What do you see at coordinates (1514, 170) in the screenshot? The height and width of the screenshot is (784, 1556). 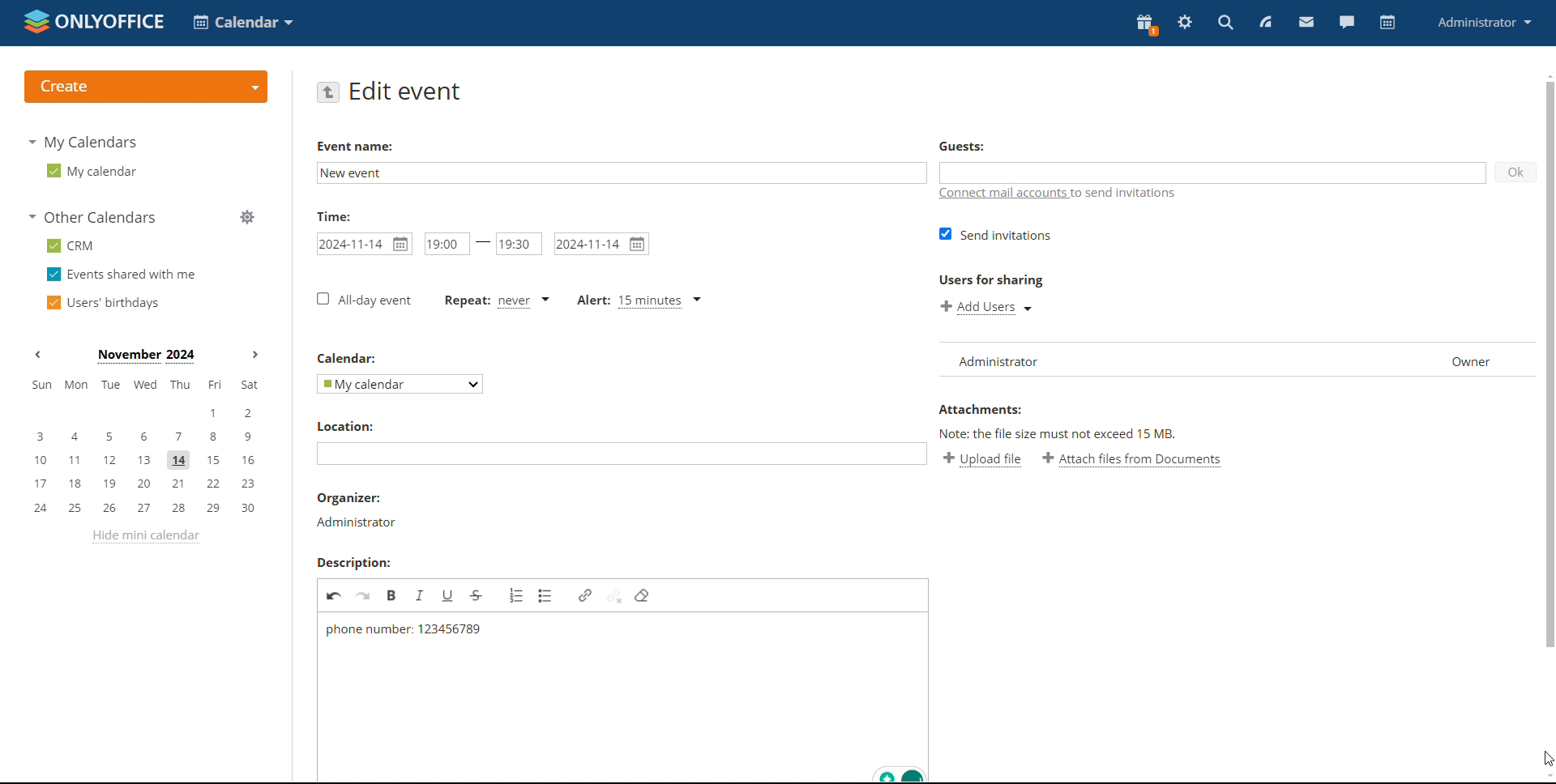 I see `ok` at bounding box center [1514, 170].